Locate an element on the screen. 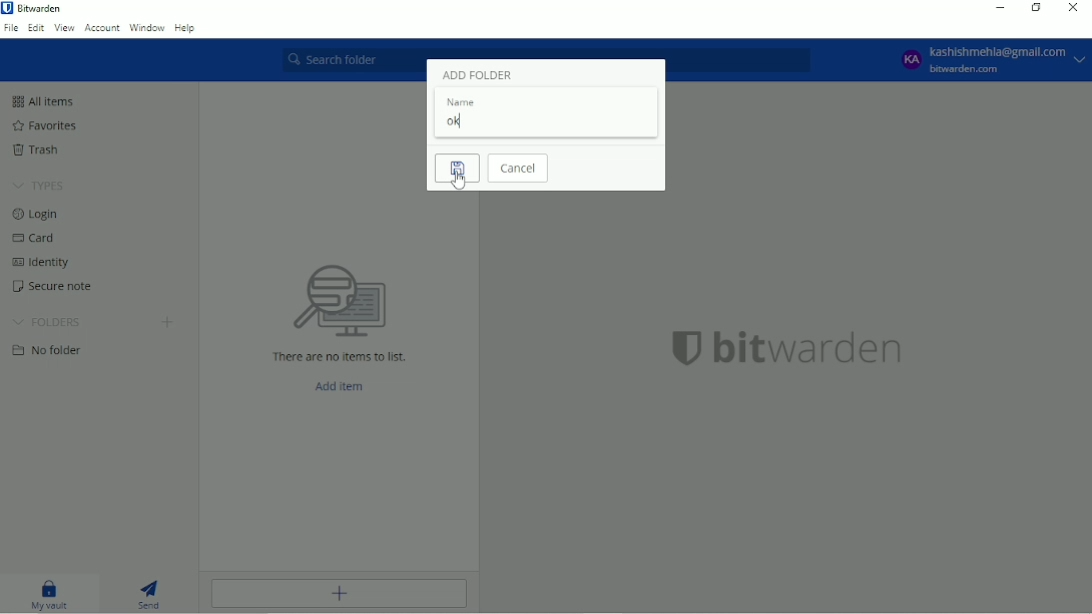  No folder is located at coordinates (50, 350).